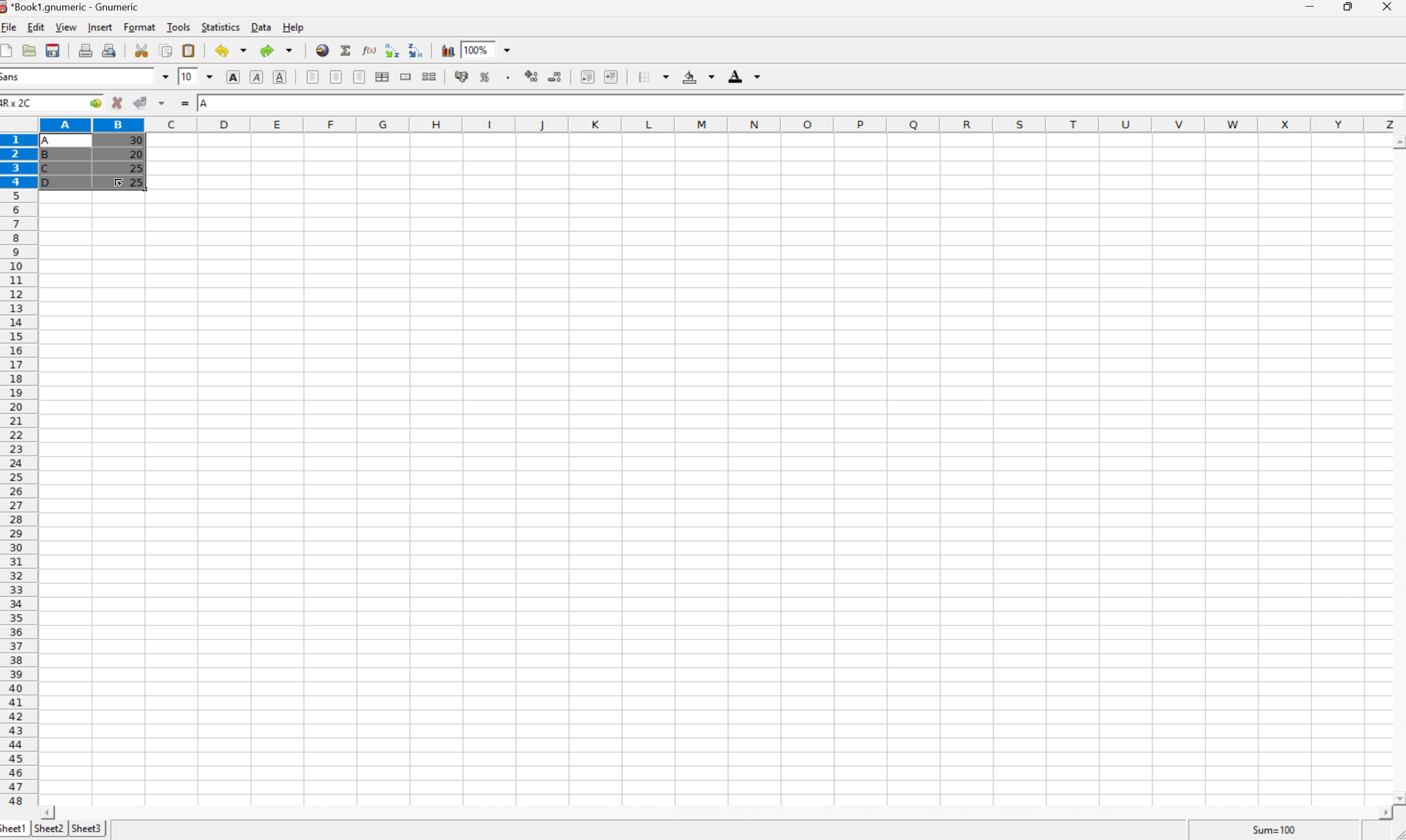 Image resolution: width=1406 pixels, height=840 pixels. I want to click on A, so click(205, 104).